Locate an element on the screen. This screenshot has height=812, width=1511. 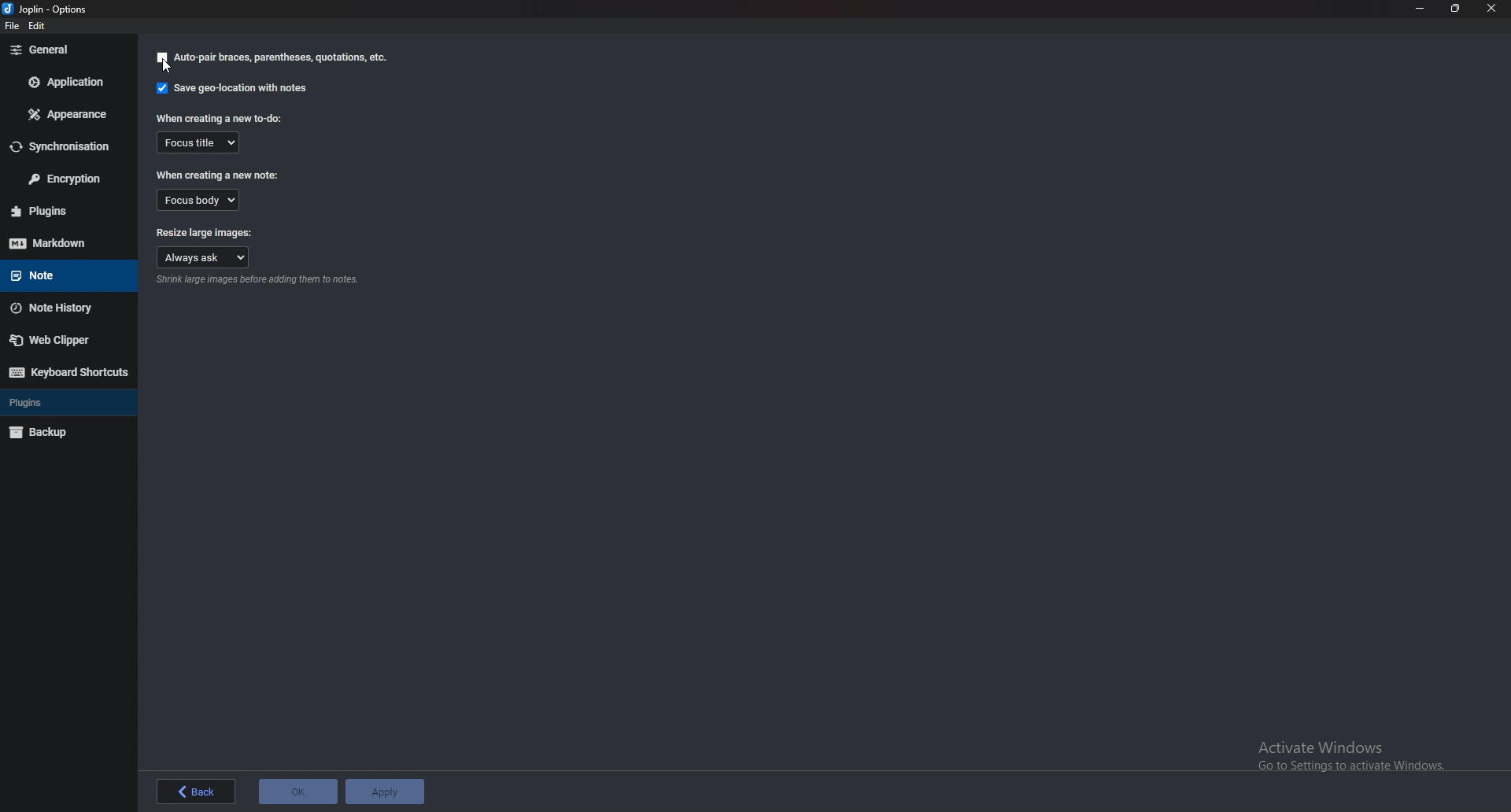
auto pair braces, parenthesis, Quotations, Etc. is located at coordinates (272, 57).